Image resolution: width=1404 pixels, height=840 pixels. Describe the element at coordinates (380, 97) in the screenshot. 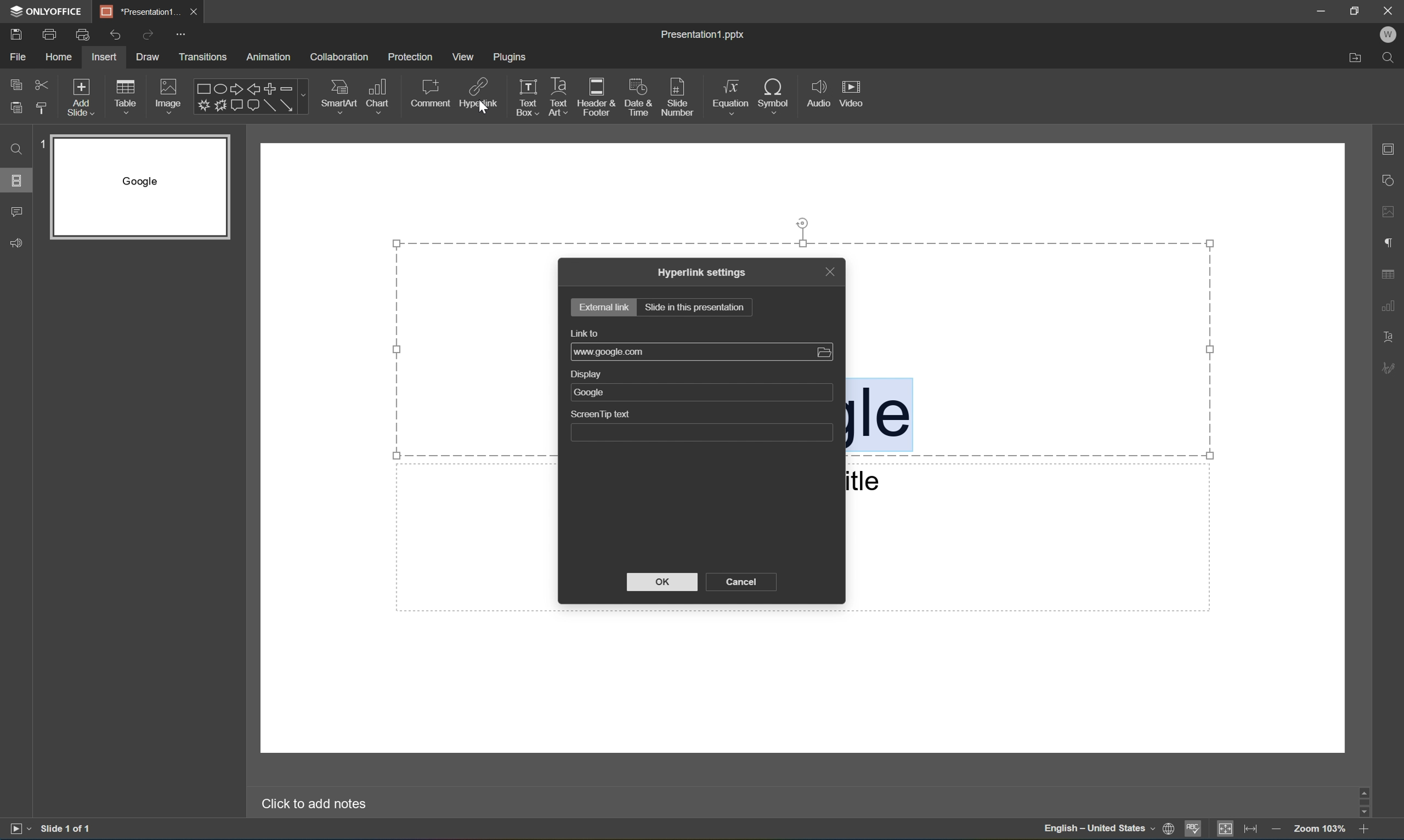

I see `Chart` at that location.